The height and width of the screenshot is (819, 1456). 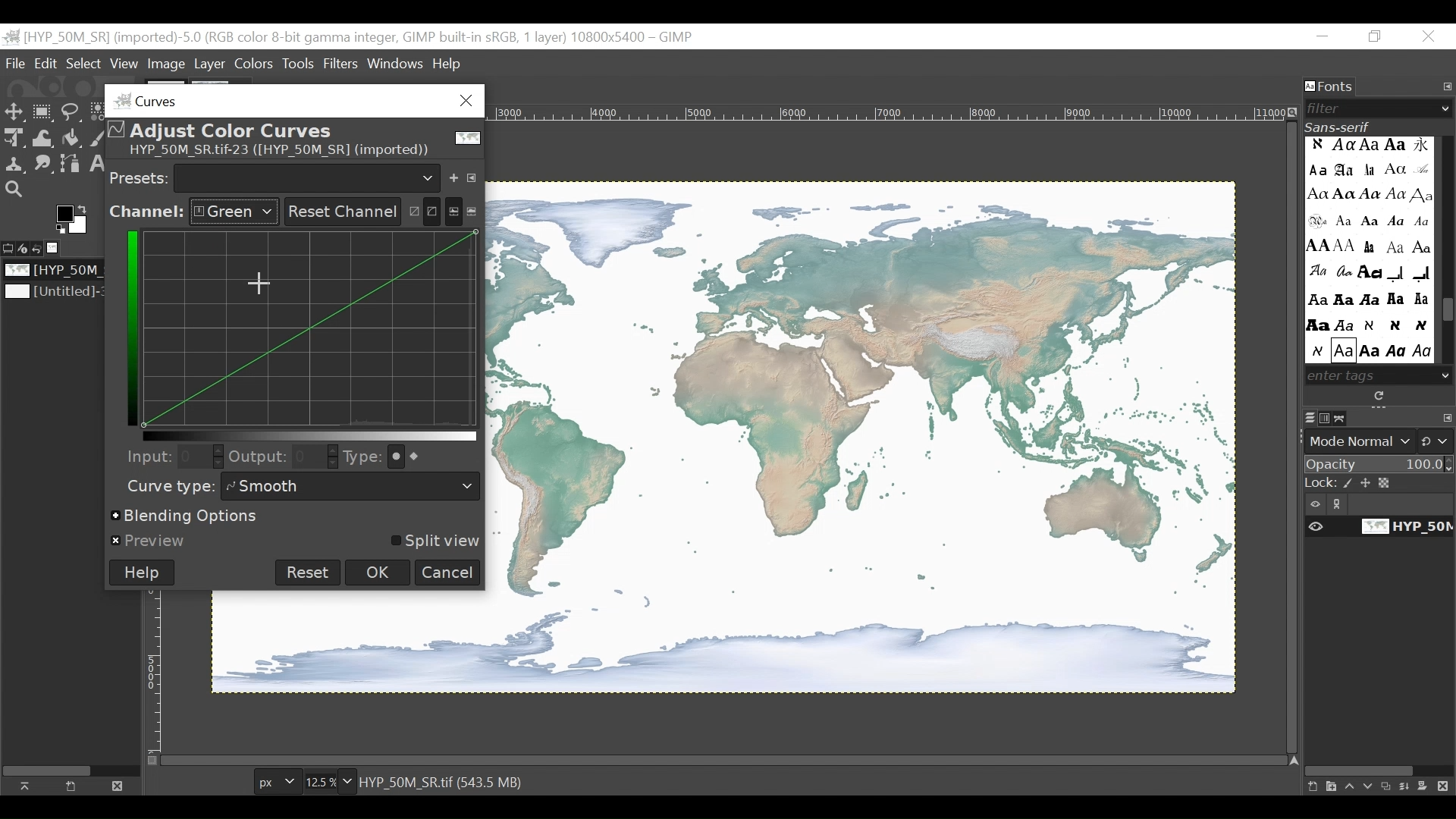 What do you see at coordinates (308, 177) in the screenshot?
I see `Pick a preset for the list` at bounding box center [308, 177].